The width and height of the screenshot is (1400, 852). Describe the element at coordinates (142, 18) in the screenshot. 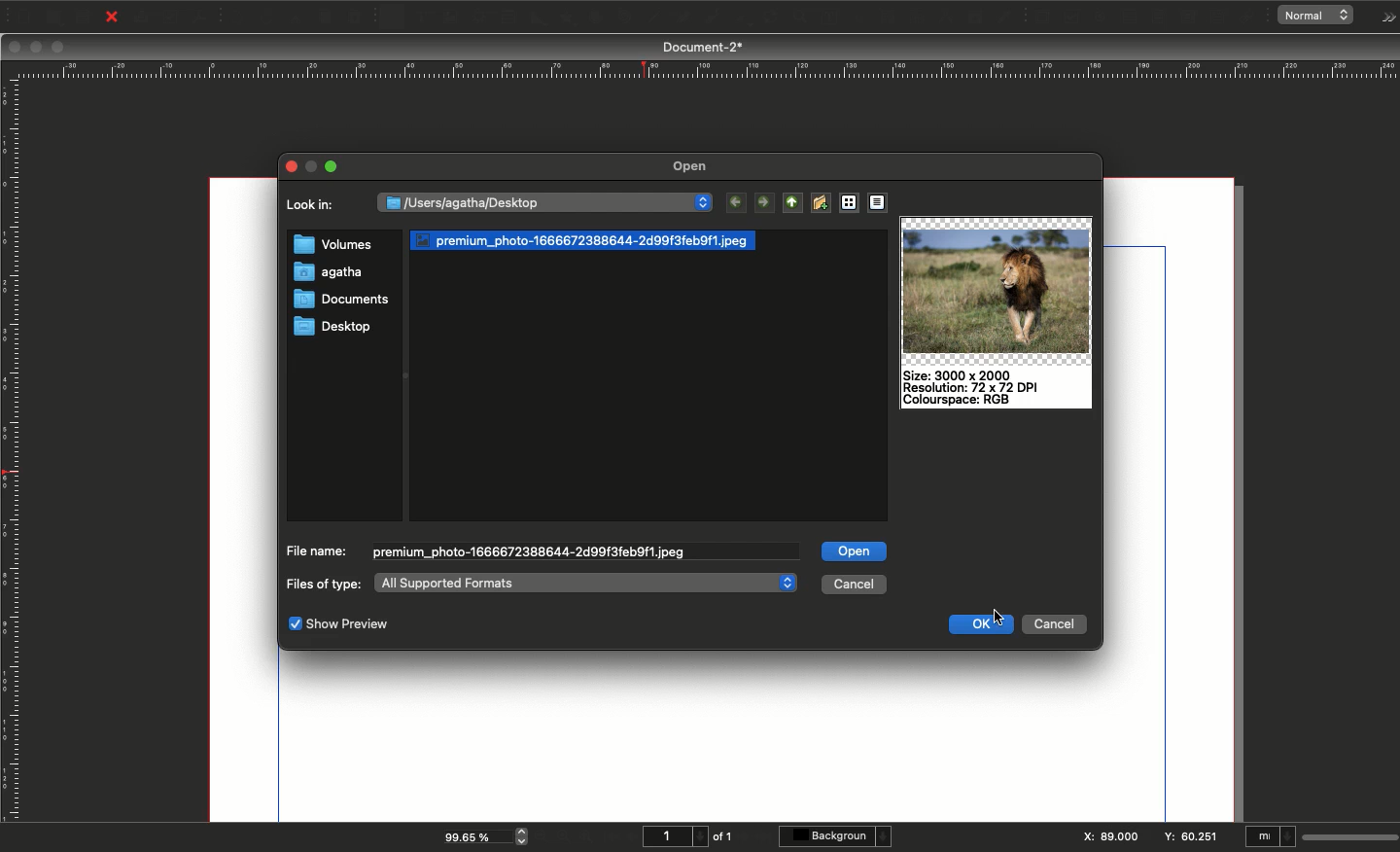

I see `Print` at that location.